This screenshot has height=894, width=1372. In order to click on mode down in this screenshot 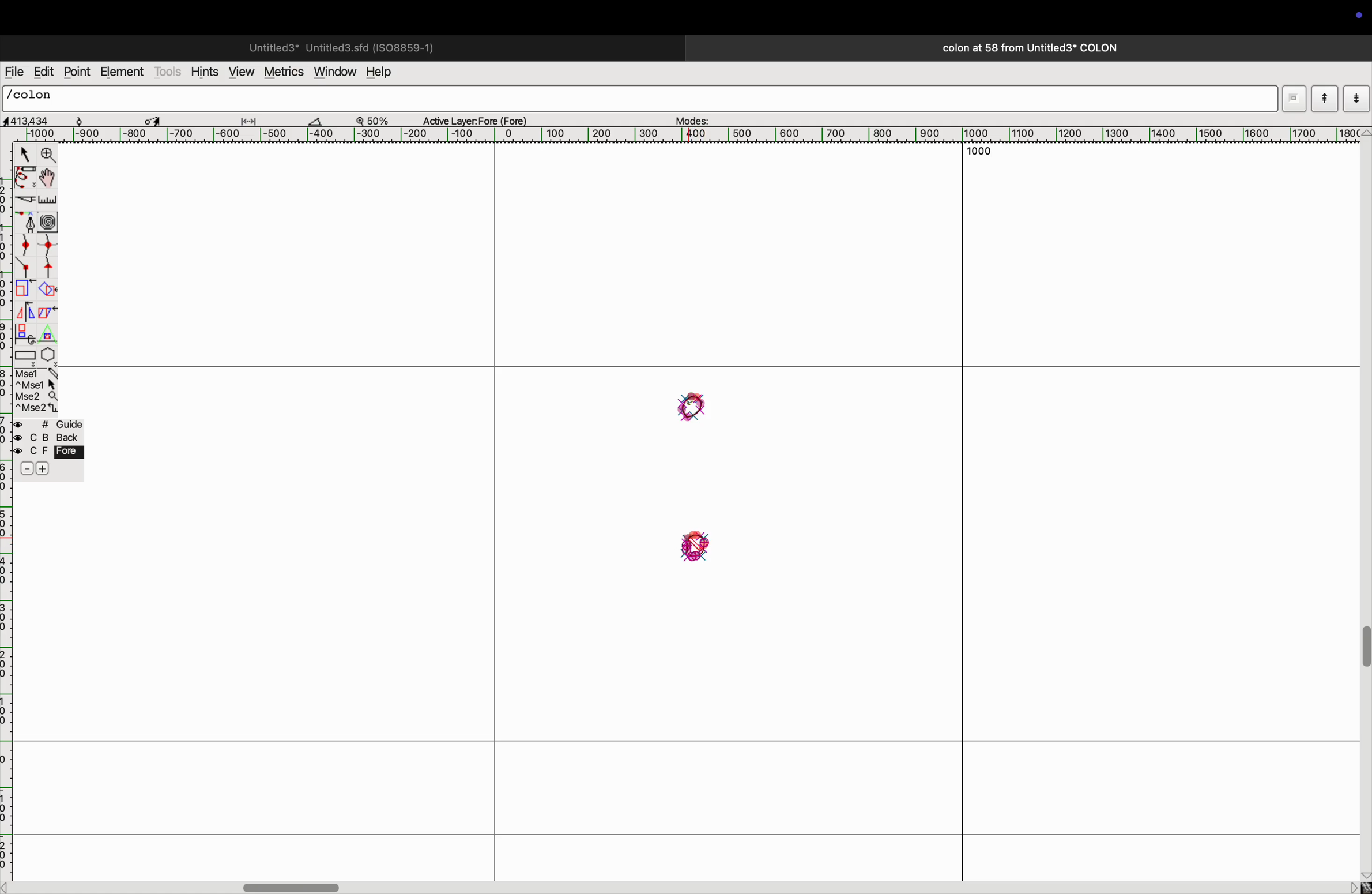, I will do `click(1356, 97)`.